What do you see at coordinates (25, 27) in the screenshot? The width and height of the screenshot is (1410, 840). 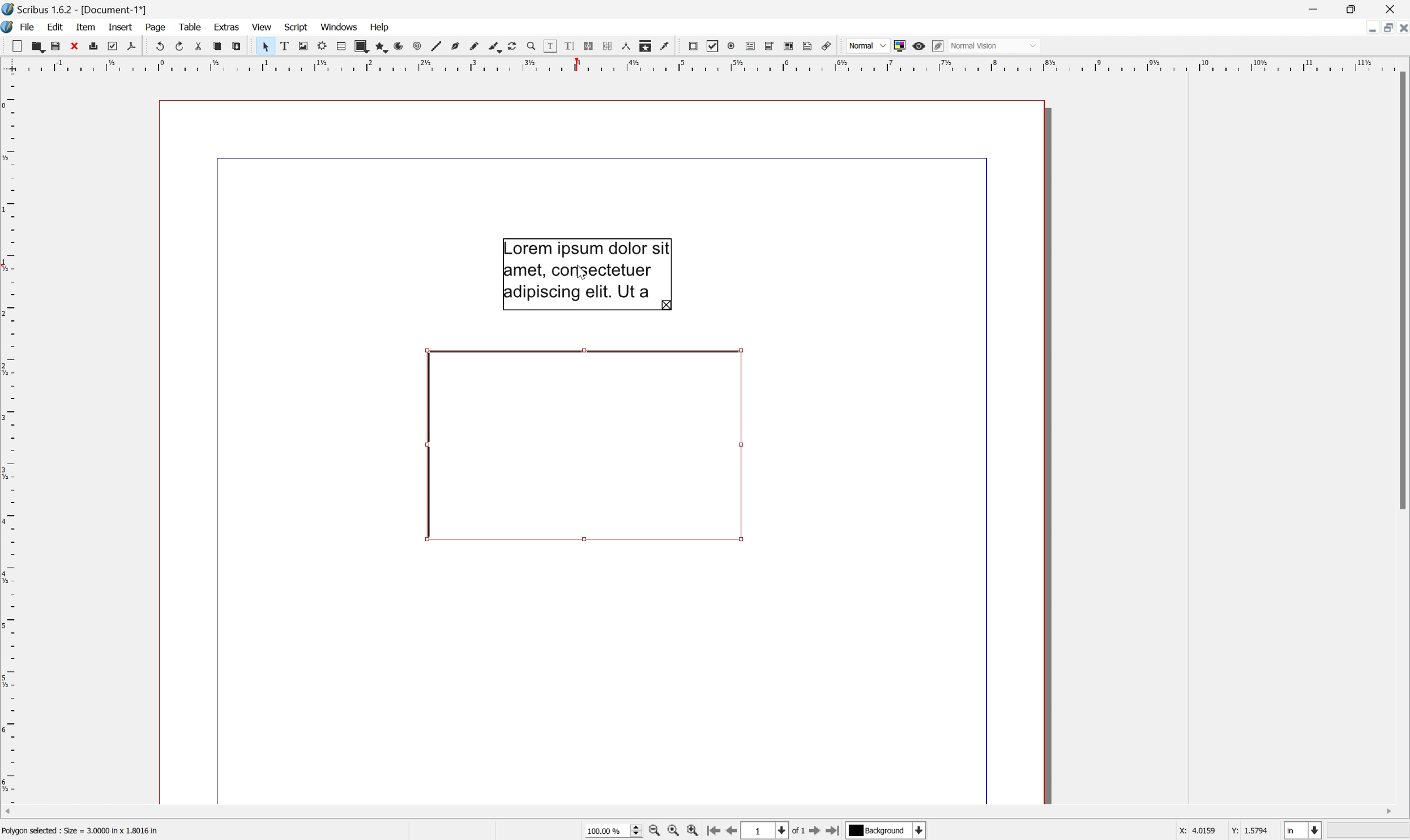 I see `File` at bounding box center [25, 27].